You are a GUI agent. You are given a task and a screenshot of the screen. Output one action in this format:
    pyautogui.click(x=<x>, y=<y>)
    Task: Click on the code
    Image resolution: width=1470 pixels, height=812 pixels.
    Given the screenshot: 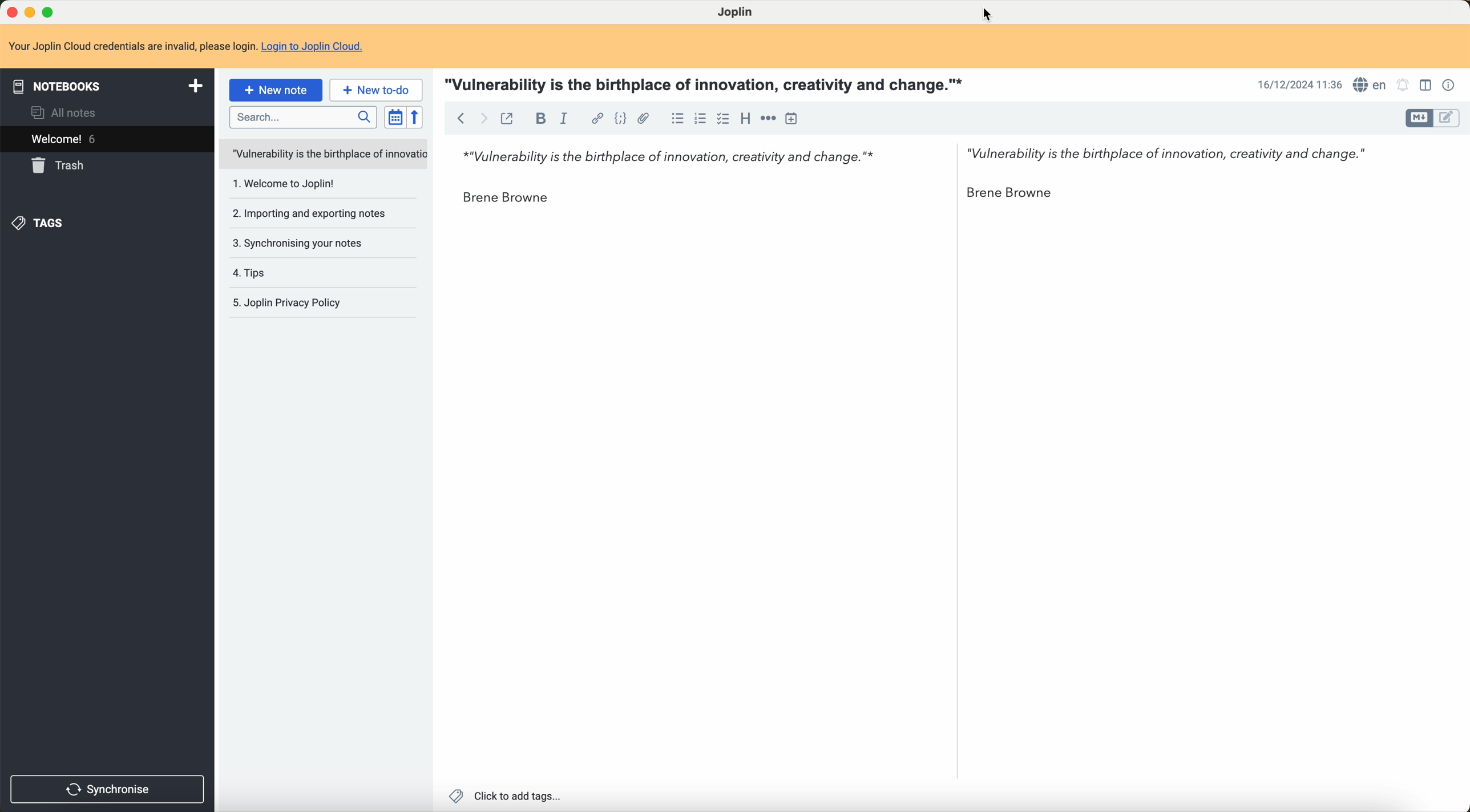 What is the action you would take?
    pyautogui.click(x=619, y=118)
    